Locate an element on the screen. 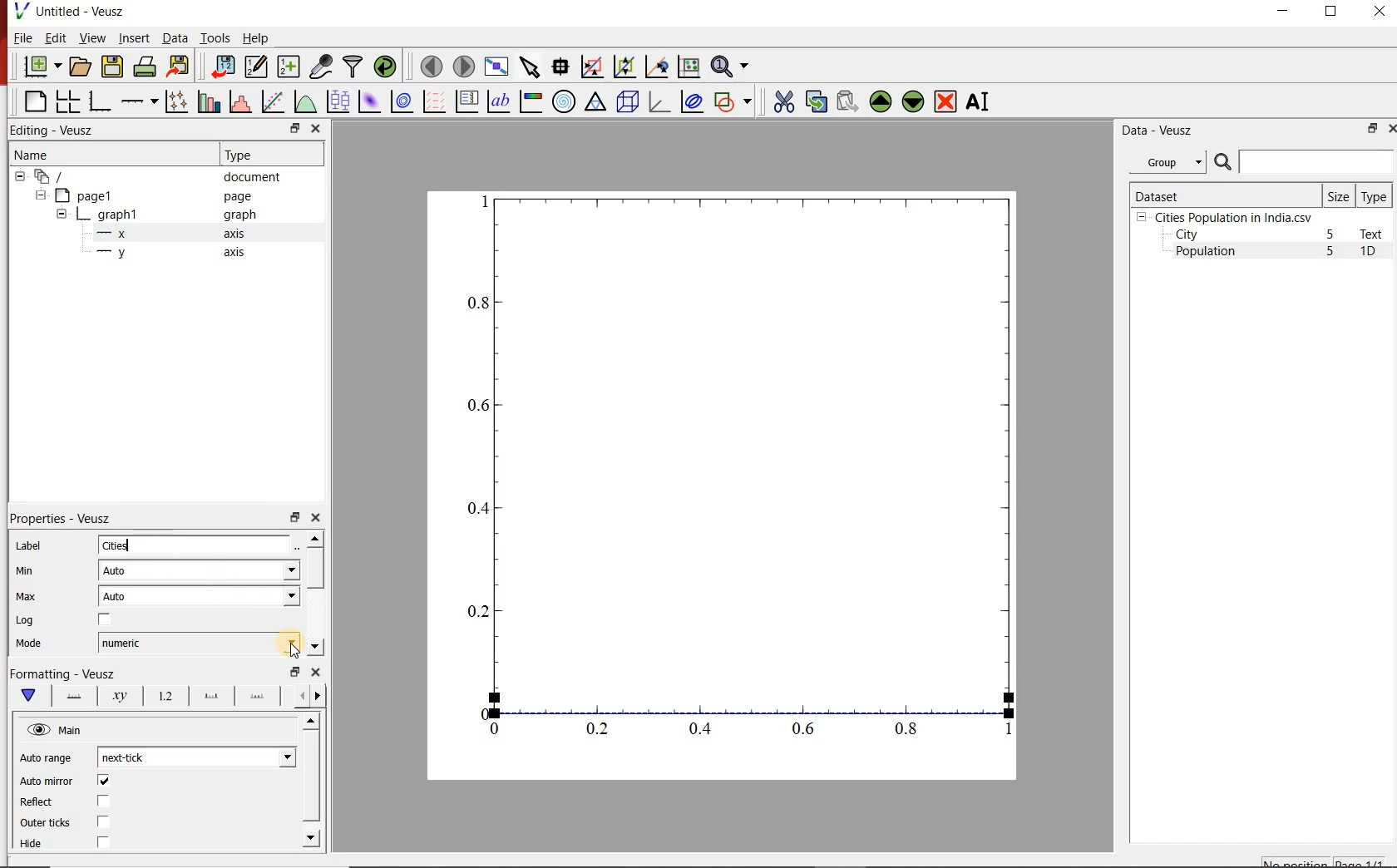 The width and height of the screenshot is (1397, 868). CLOSE is located at coordinates (1378, 13).